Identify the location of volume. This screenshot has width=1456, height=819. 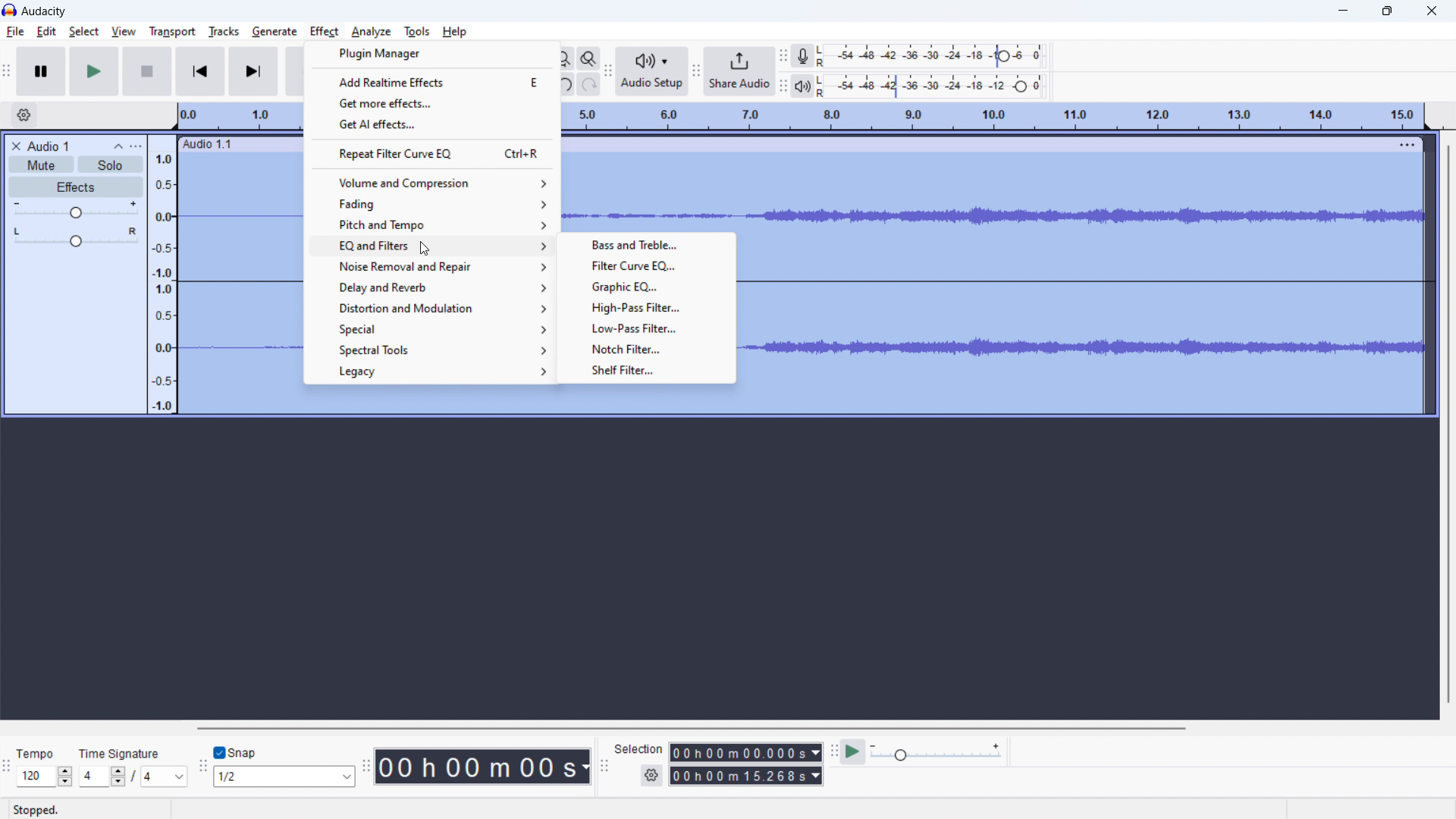
(77, 210).